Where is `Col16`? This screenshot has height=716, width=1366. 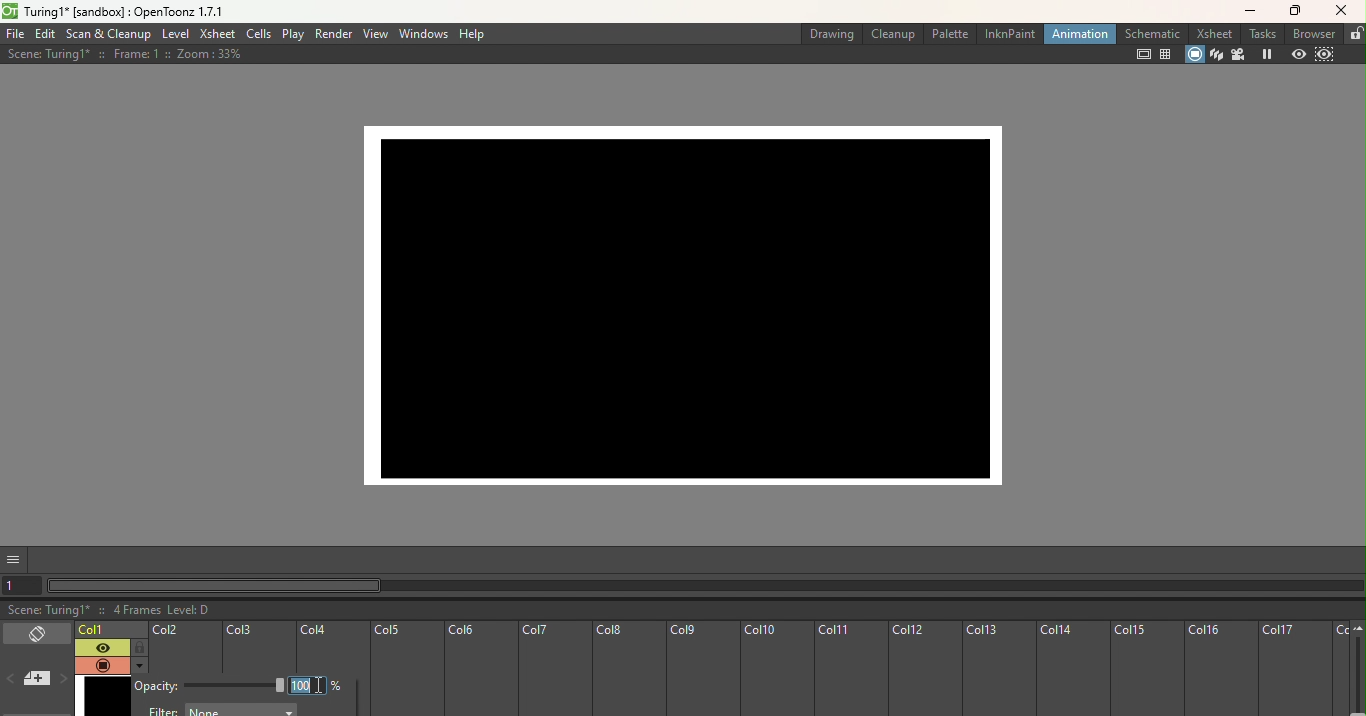 Col16 is located at coordinates (1221, 669).